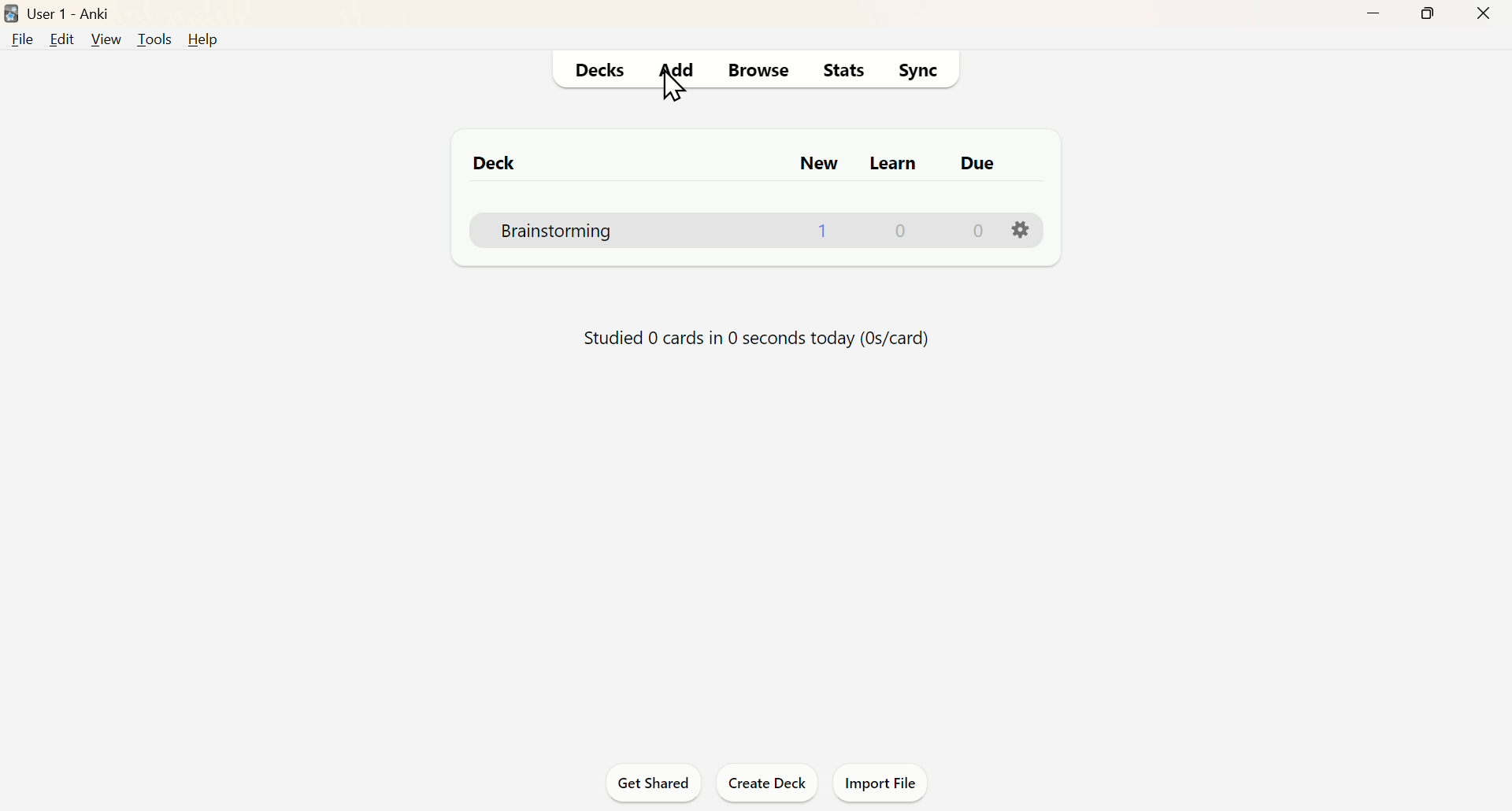 Image resolution: width=1512 pixels, height=811 pixels. What do you see at coordinates (1488, 16) in the screenshot?
I see `` at bounding box center [1488, 16].